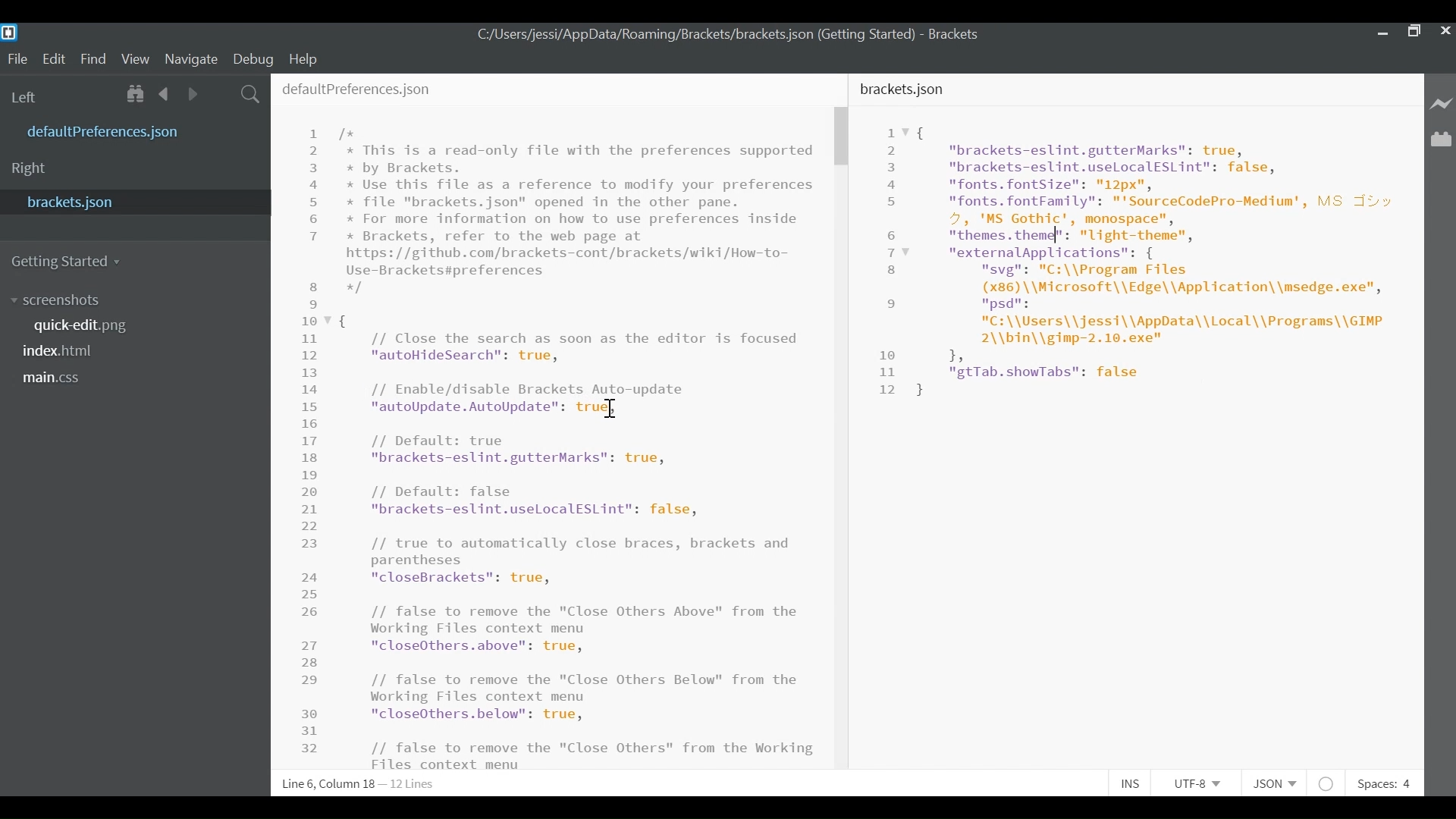 The height and width of the screenshot is (819, 1456). What do you see at coordinates (93, 58) in the screenshot?
I see `Find` at bounding box center [93, 58].